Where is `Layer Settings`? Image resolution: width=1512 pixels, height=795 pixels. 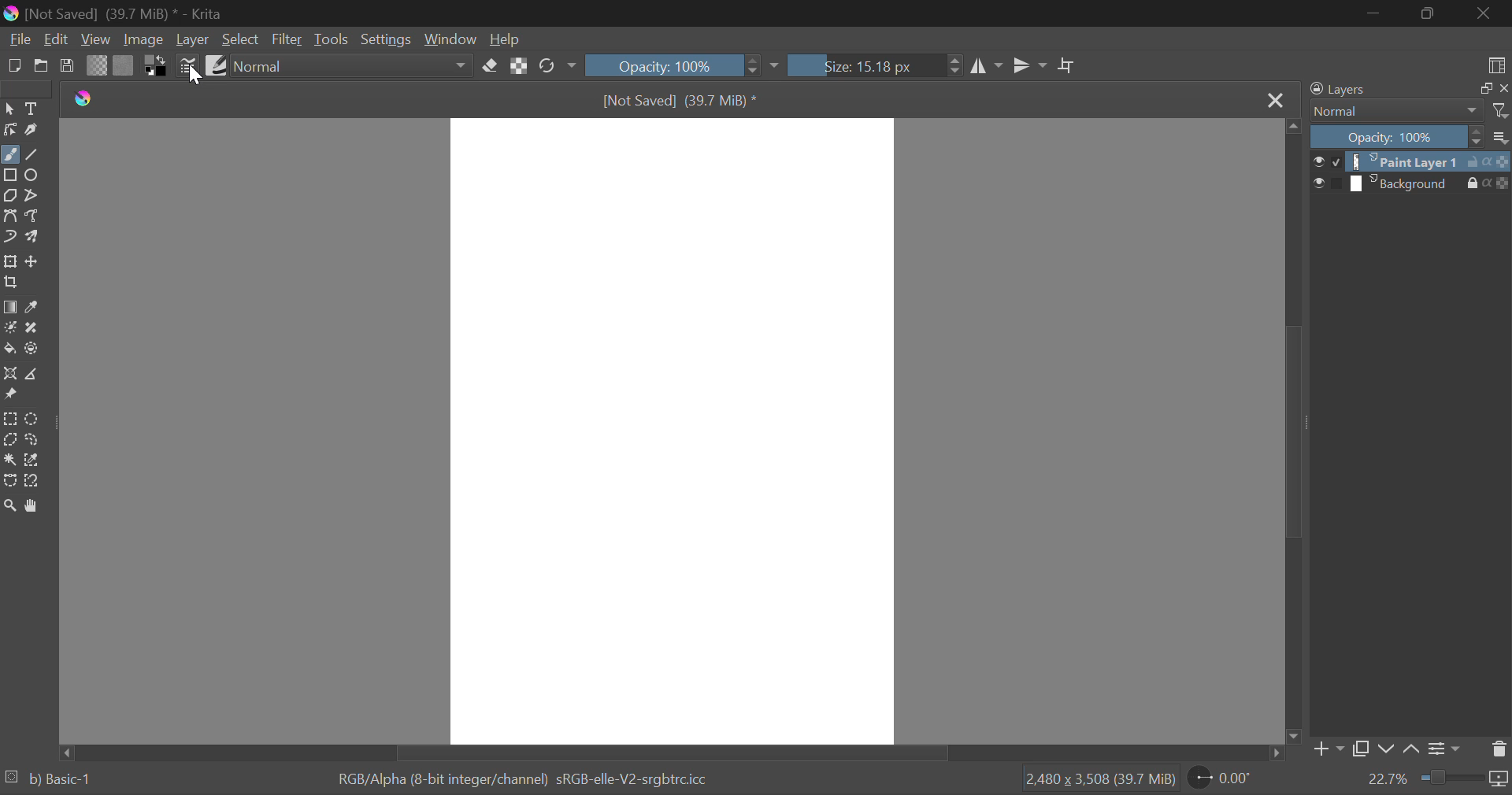 Layer Settings is located at coordinates (1446, 749).